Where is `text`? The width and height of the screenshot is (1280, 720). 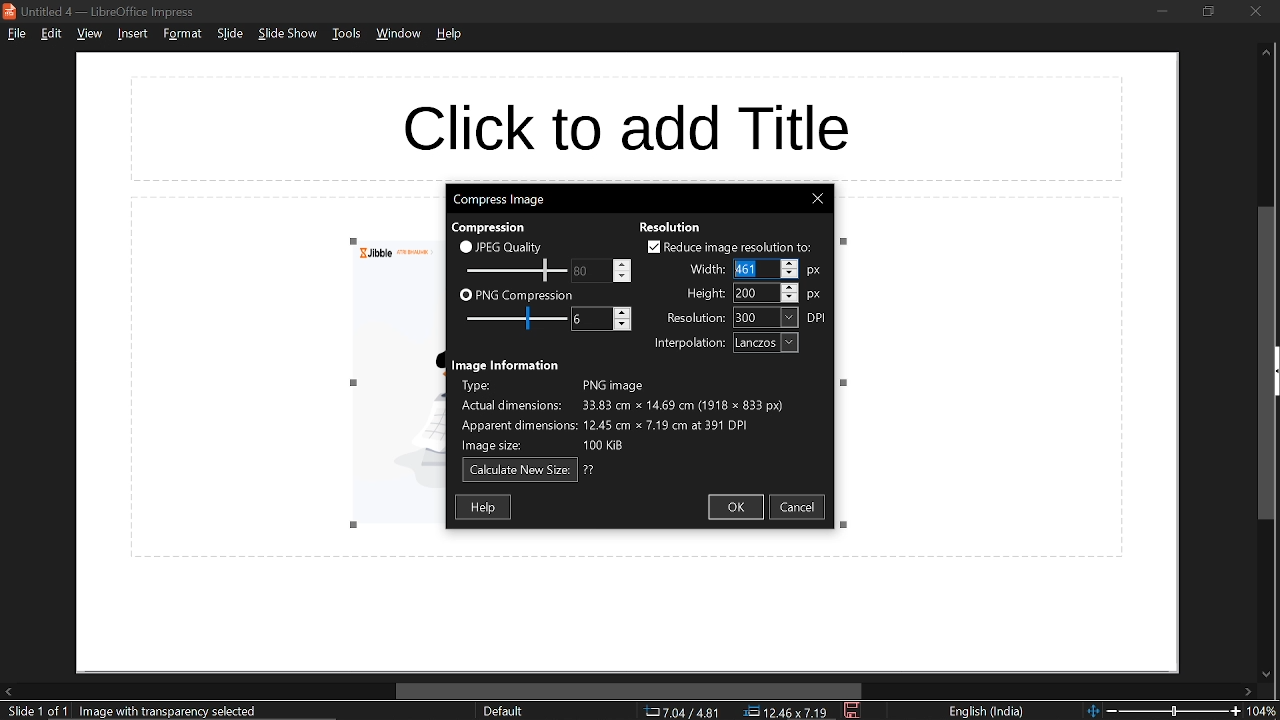
text is located at coordinates (506, 364).